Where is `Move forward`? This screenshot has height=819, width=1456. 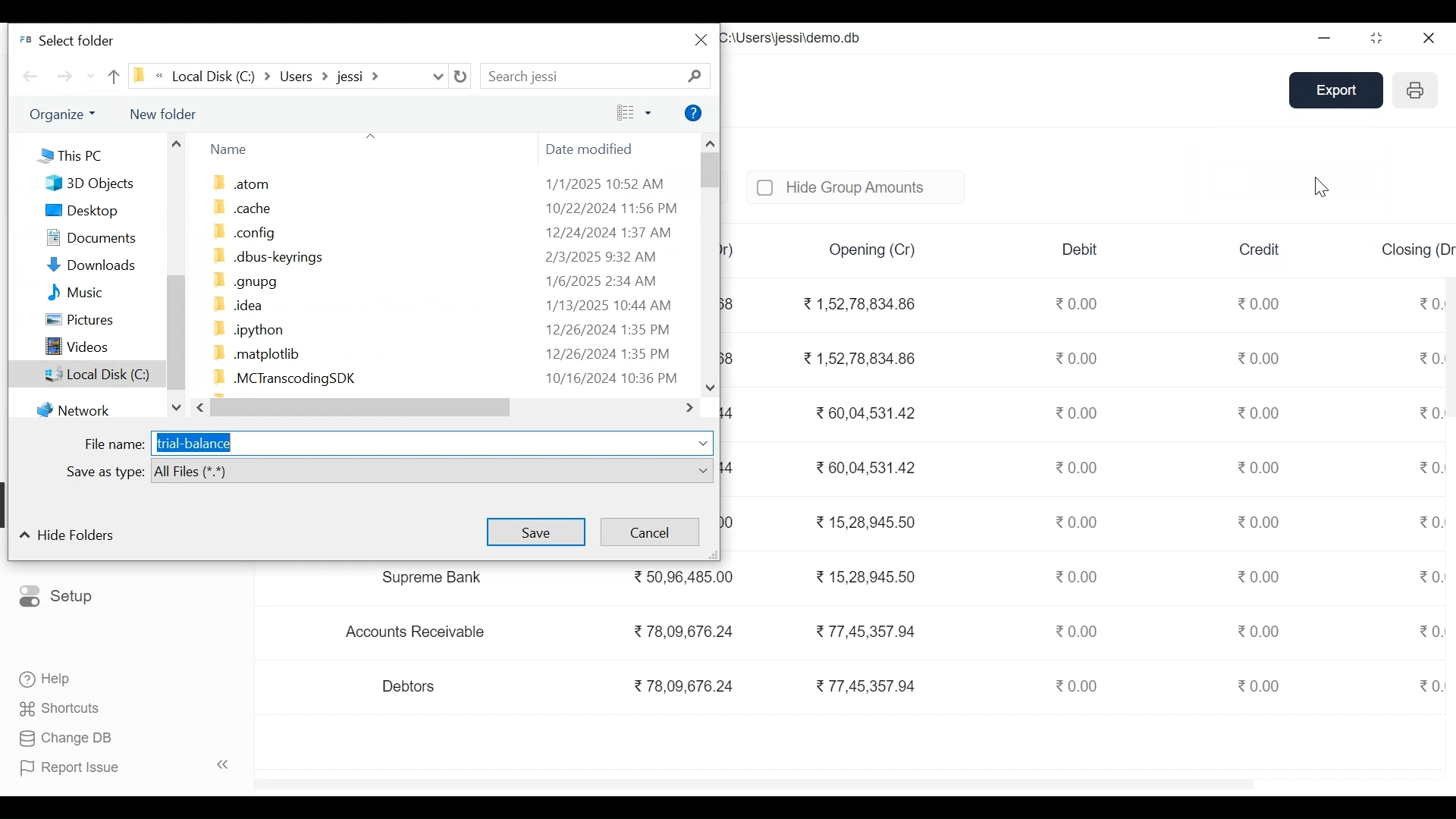 Move forward is located at coordinates (66, 77).